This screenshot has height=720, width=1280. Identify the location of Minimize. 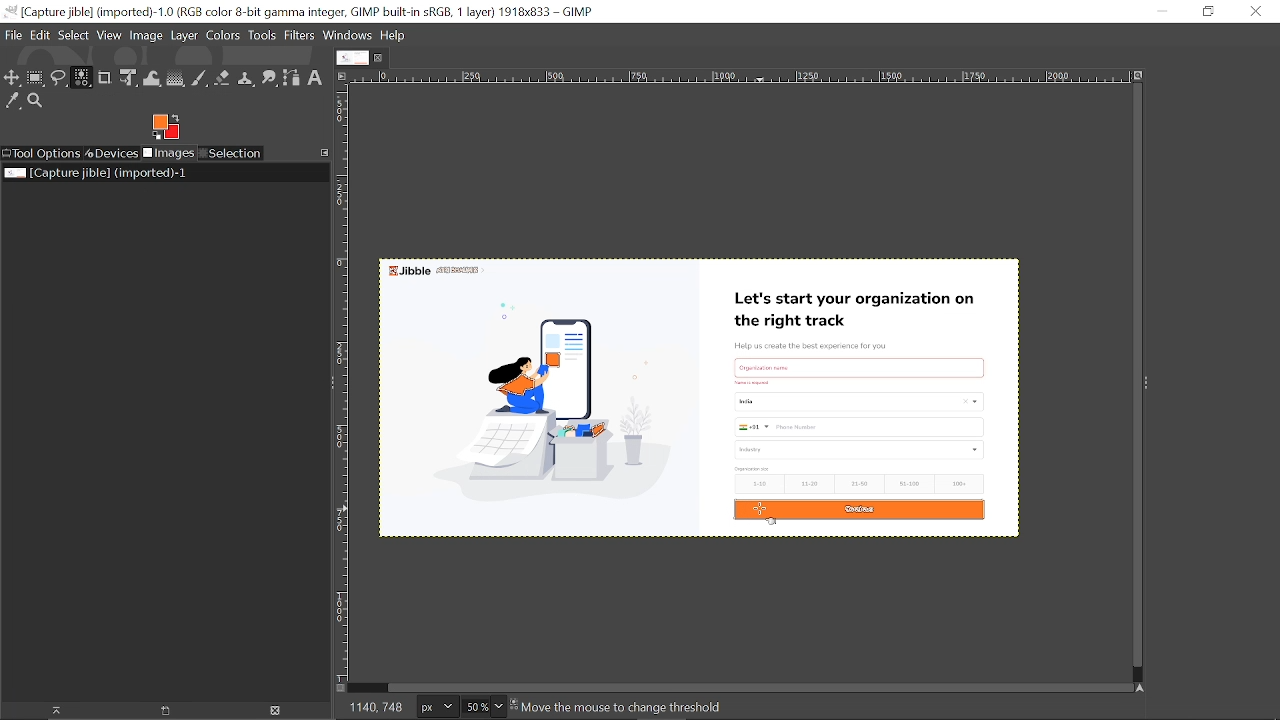
(1158, 10).